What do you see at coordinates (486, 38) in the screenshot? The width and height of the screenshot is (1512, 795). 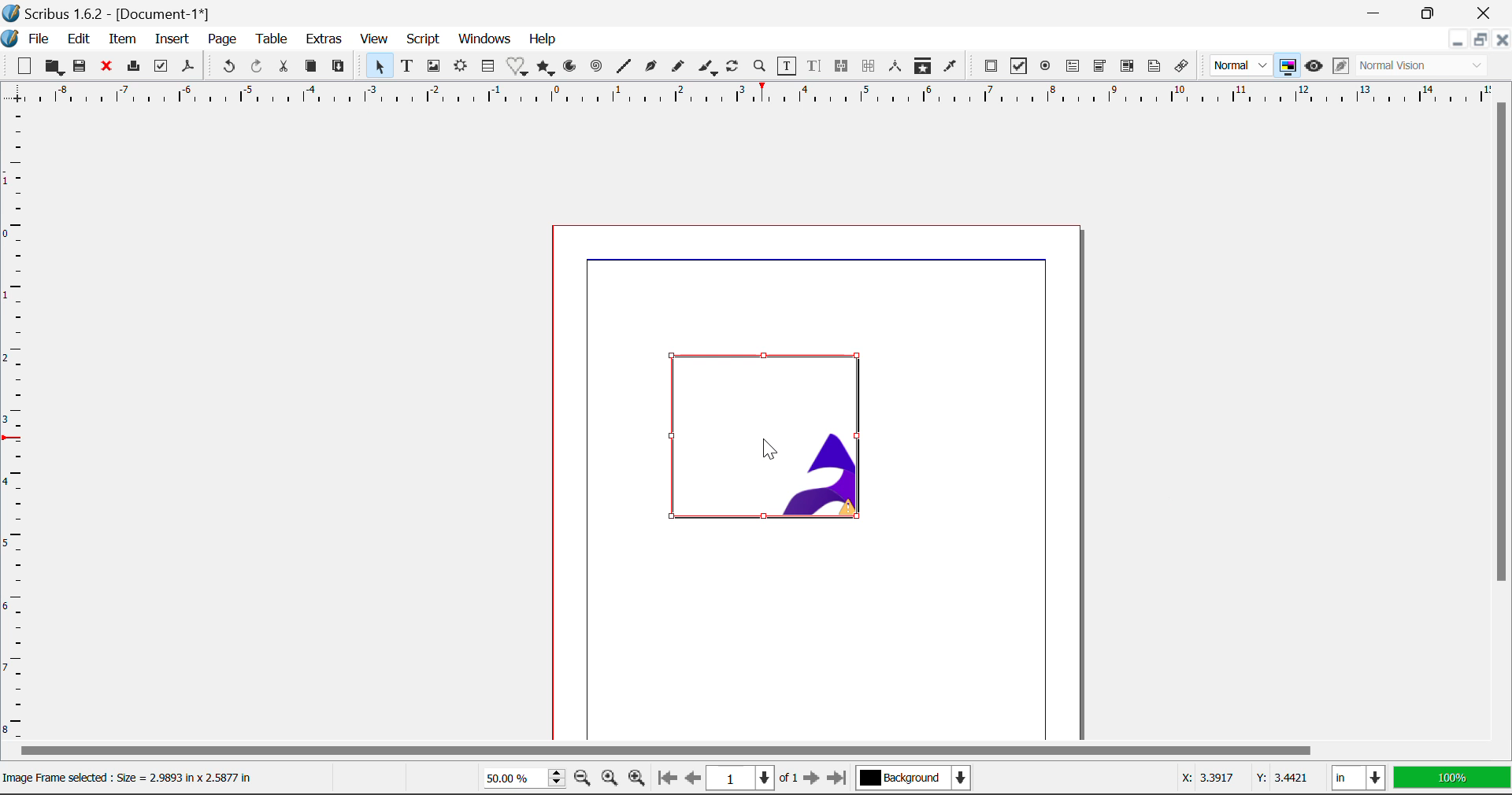 I see `Windows` at bounding box center [486, 38].